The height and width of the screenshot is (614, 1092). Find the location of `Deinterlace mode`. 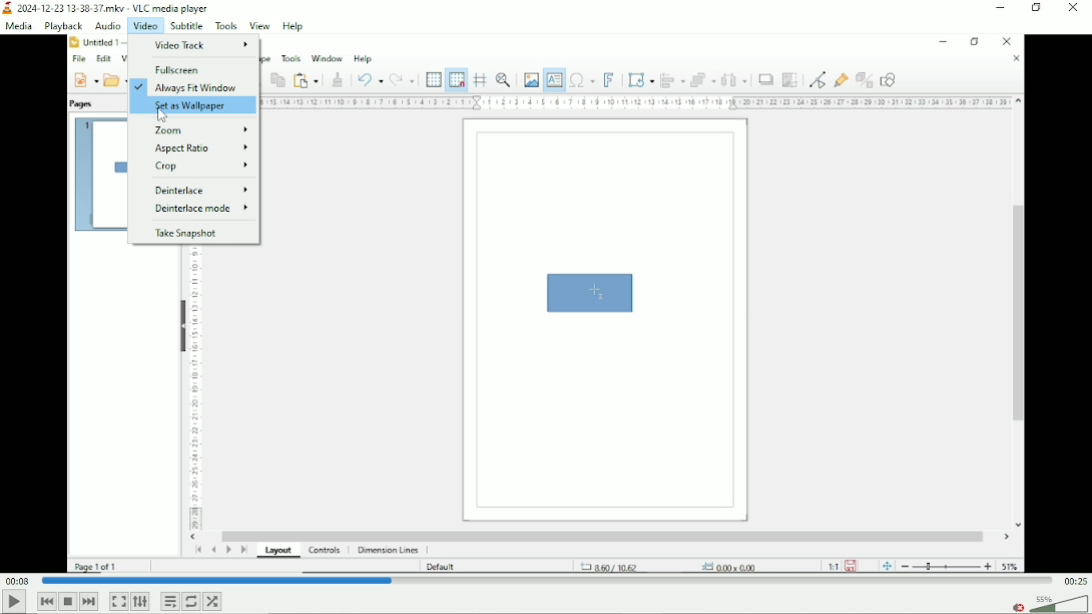

Deinterlace mode is located at coordinates (204, 209).